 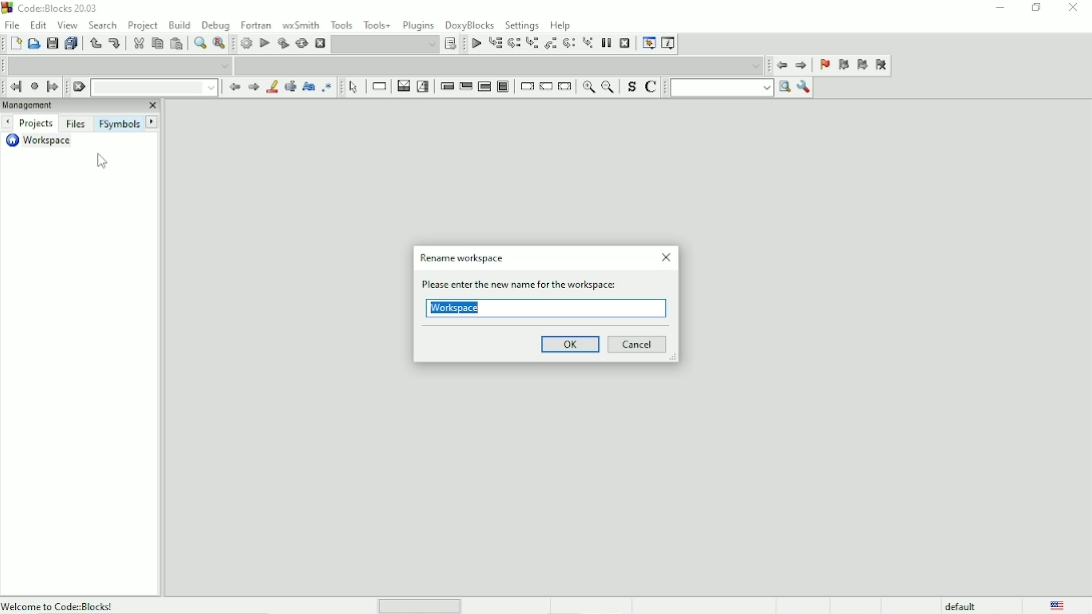 I want to click on Drop down, so click(x=385, y=44).